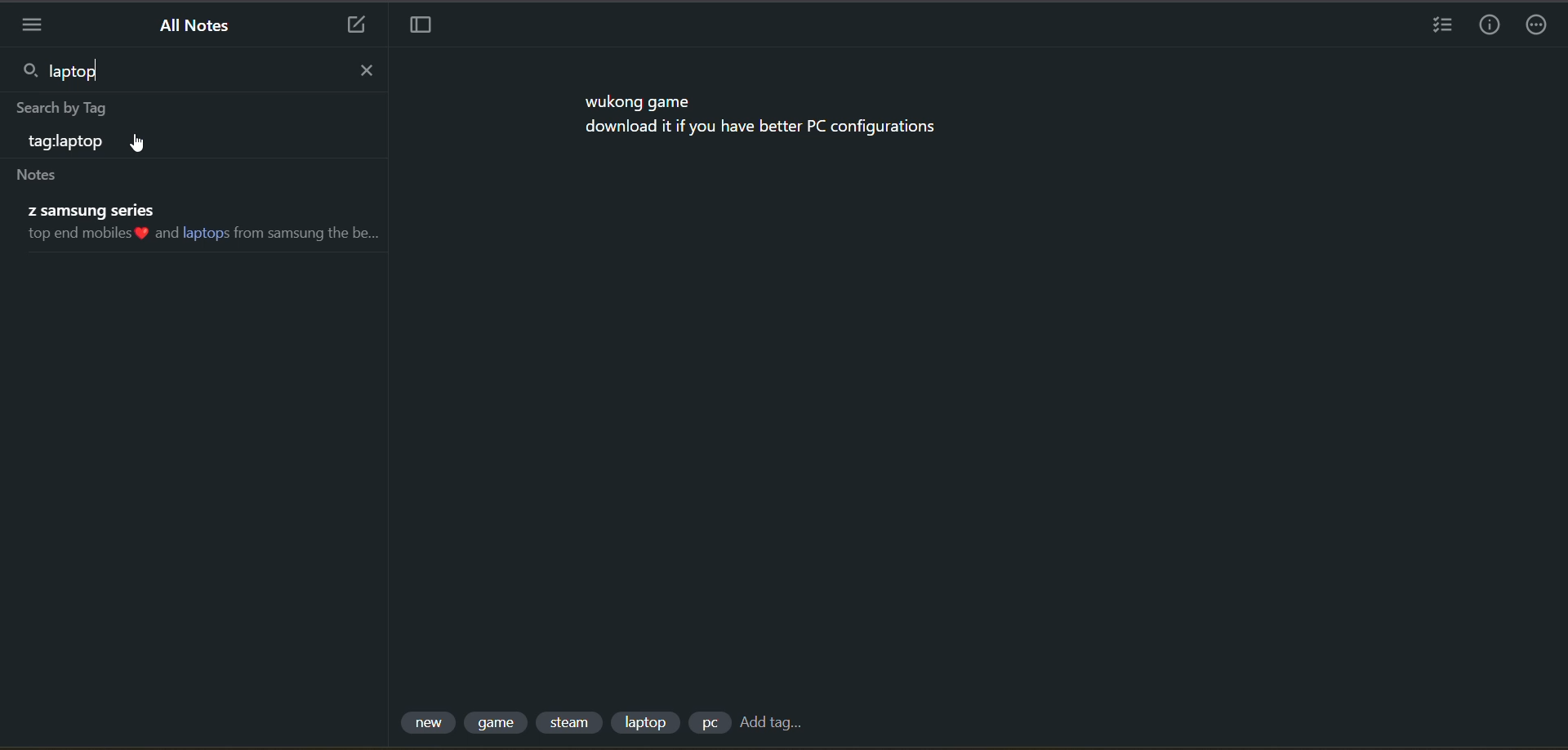 The width and height of the screenshot is (1568, 750). What do you see at coordinates (765, 118) in the screenshot?
I see `data from current note` at bounding box center [765, 118].